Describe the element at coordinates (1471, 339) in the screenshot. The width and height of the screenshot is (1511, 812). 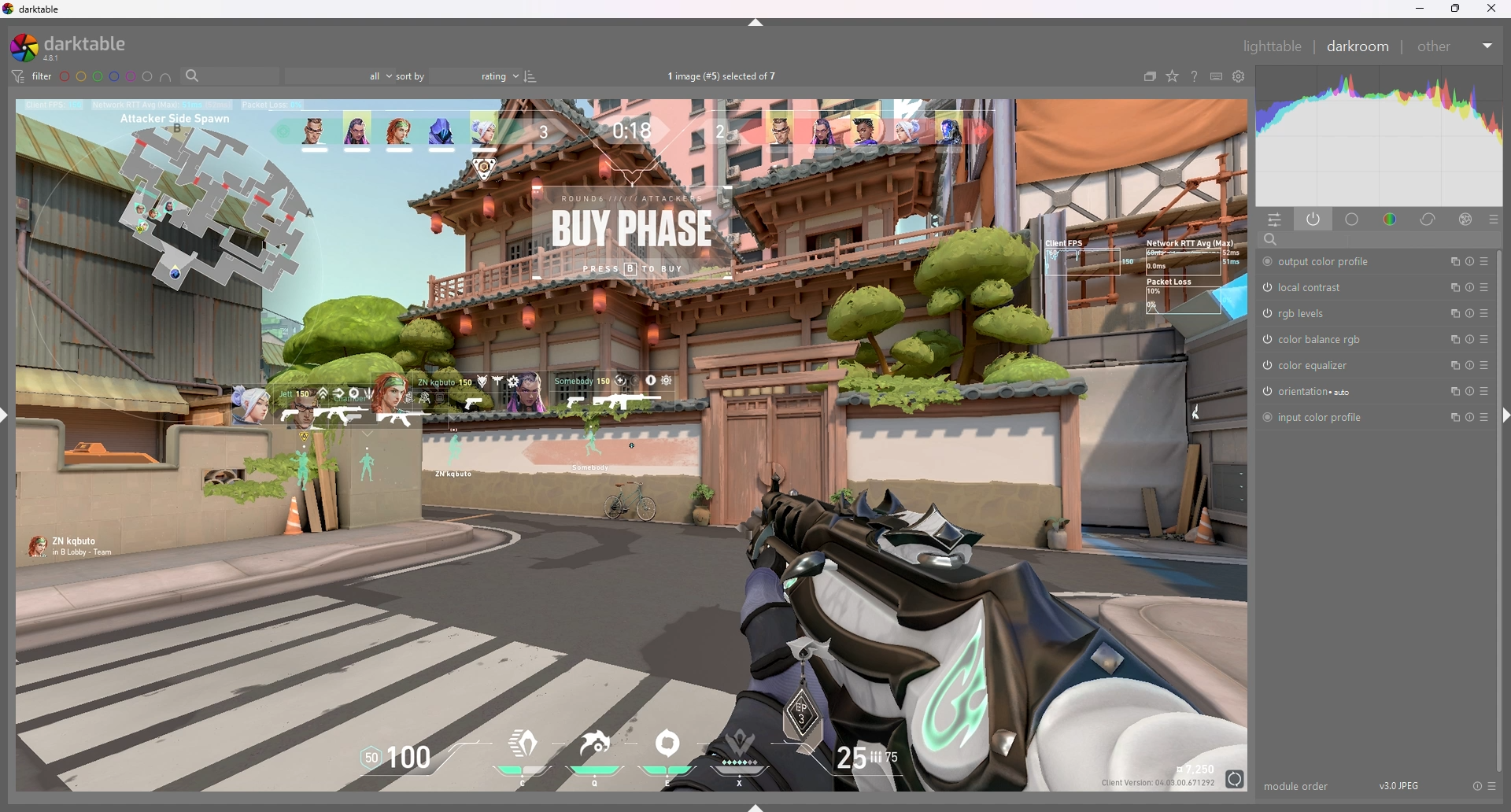
I see `reset` at that location.